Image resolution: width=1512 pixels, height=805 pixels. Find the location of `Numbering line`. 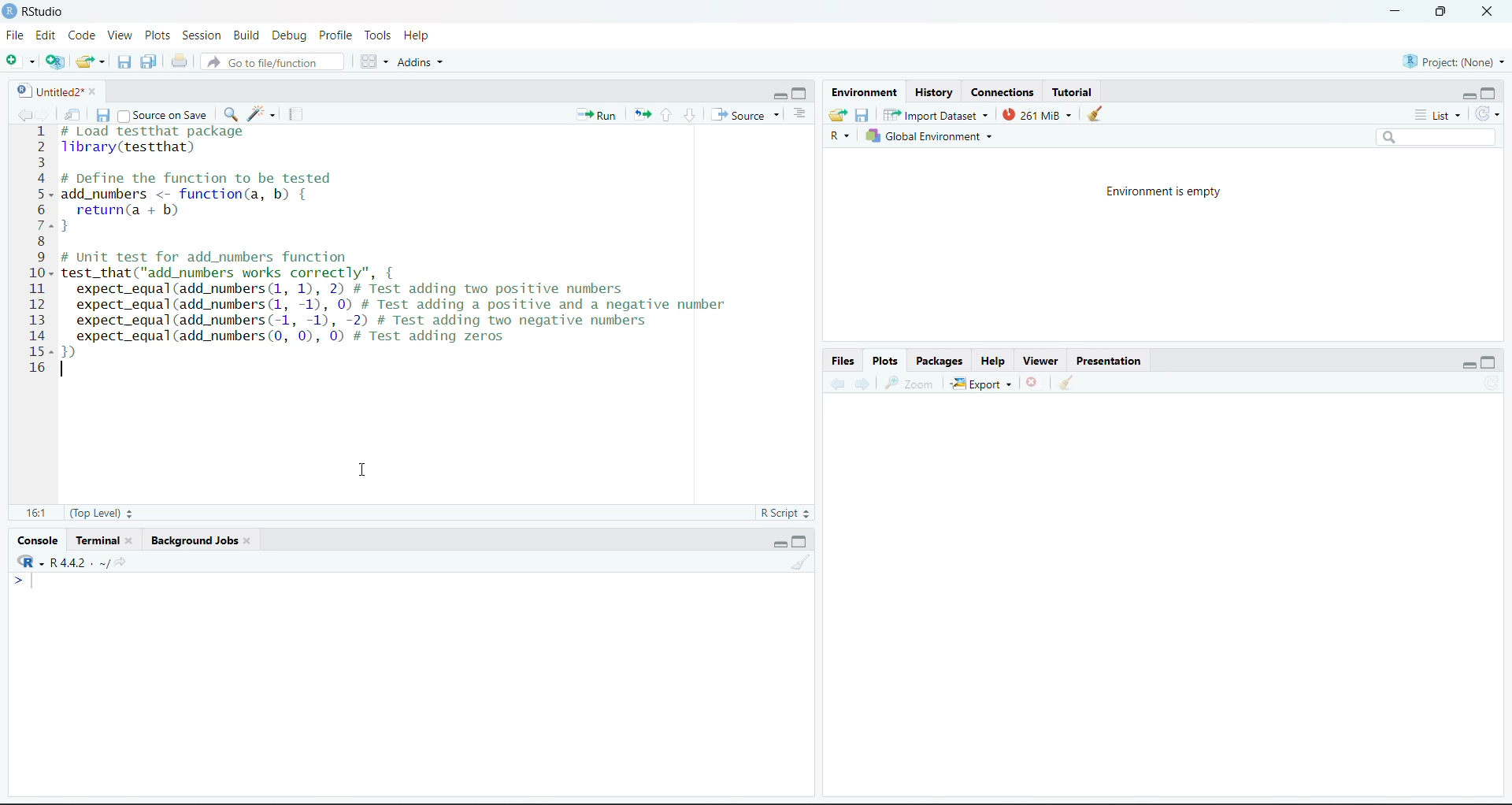

Numbering line is located at coordinates (39, 252).